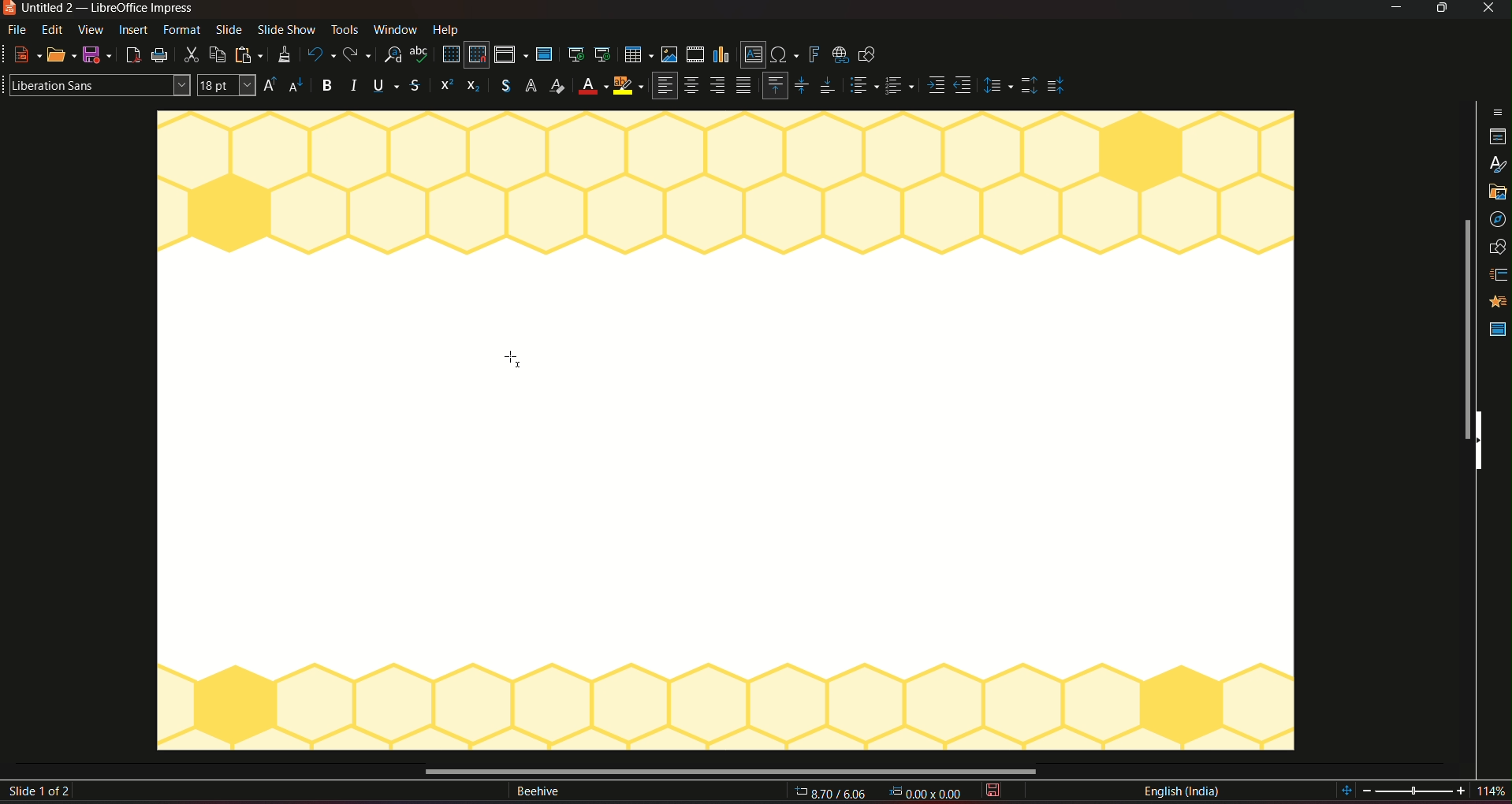 This screenshot has width=1512, height=804. I want to click on master slide, so click(1498, 300).